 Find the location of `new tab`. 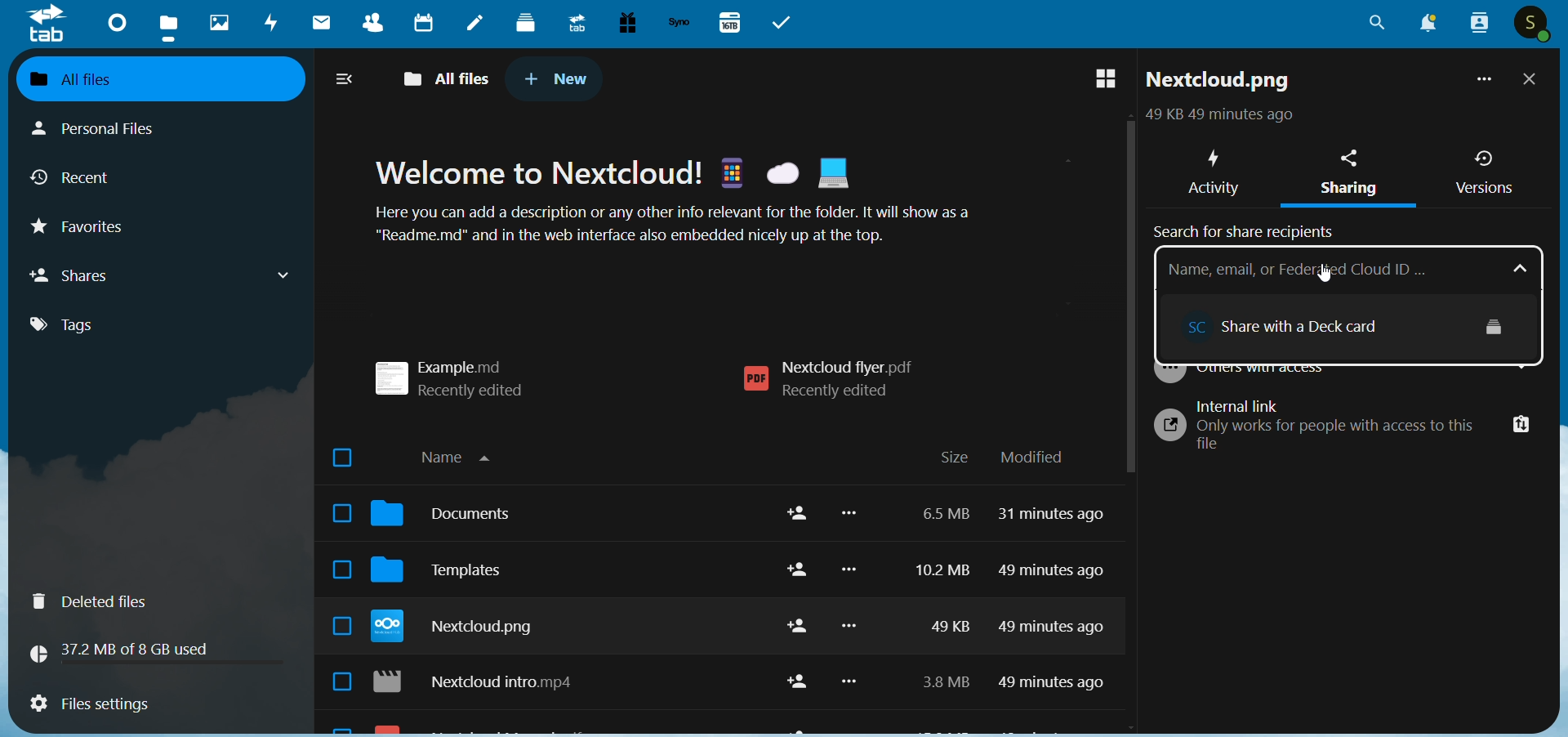

new tab is located at coordinates (557, 78).